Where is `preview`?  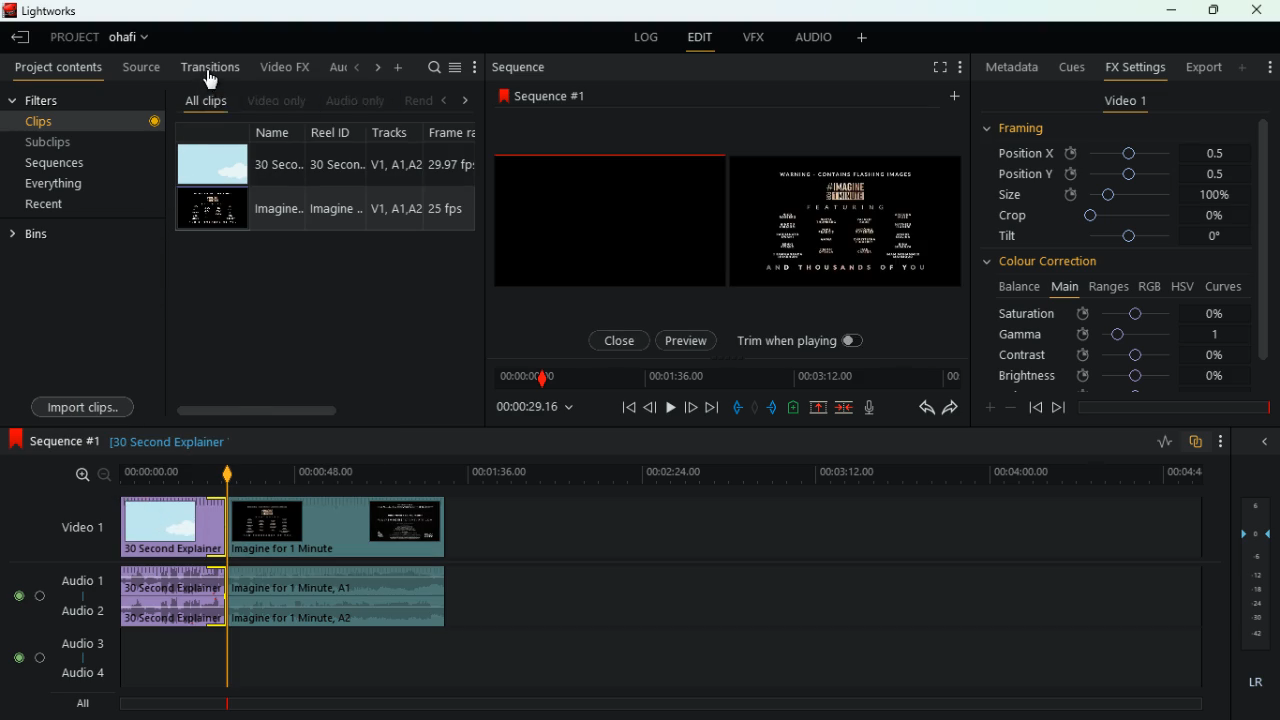
preview is located at coordinates (686, 338).